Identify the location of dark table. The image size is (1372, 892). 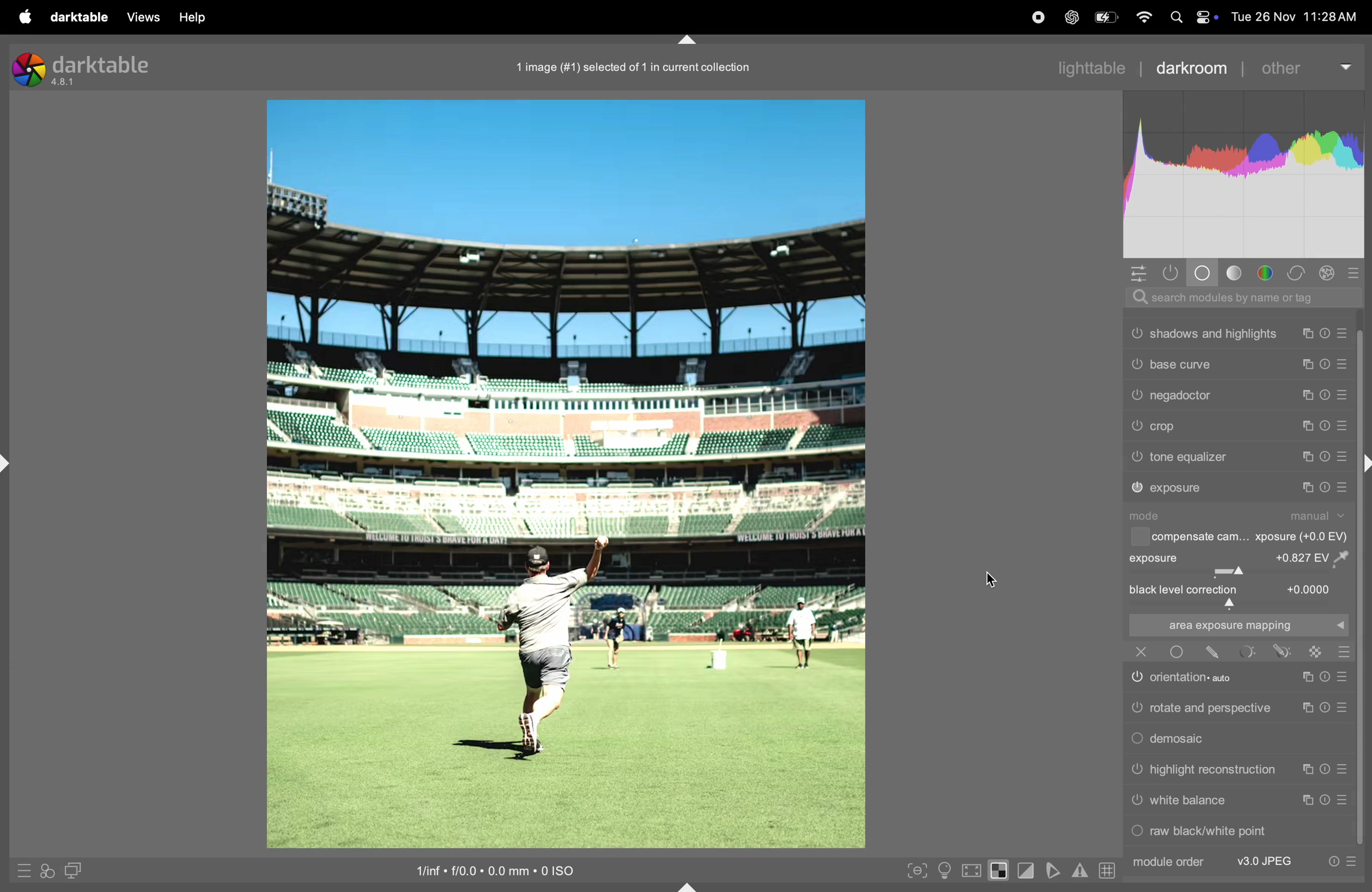
(77, 16).